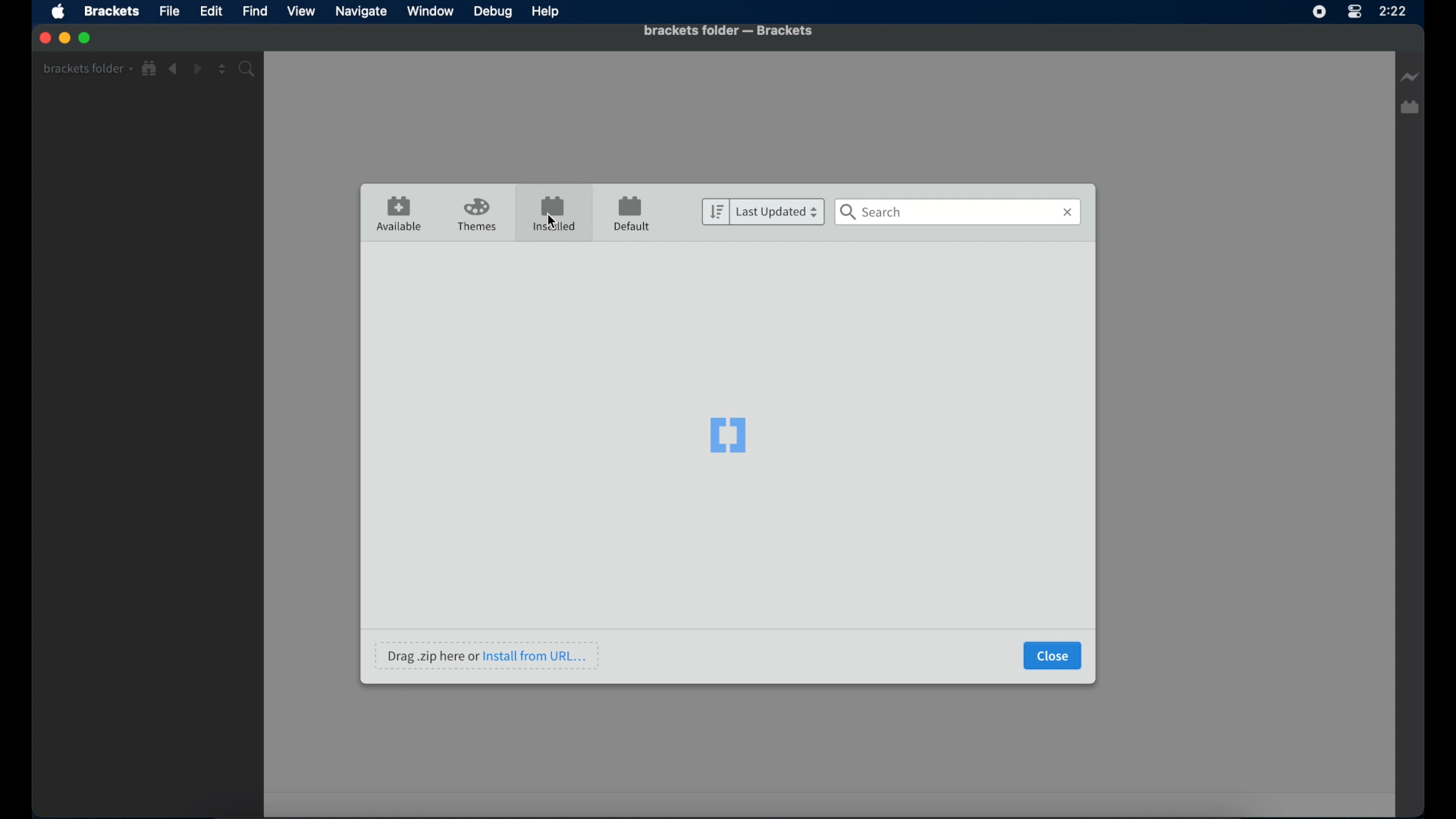  What do you see at coordinates (553, 212) in the screenshot?
I see `installed highlighted` at bounding box center [553, 212].